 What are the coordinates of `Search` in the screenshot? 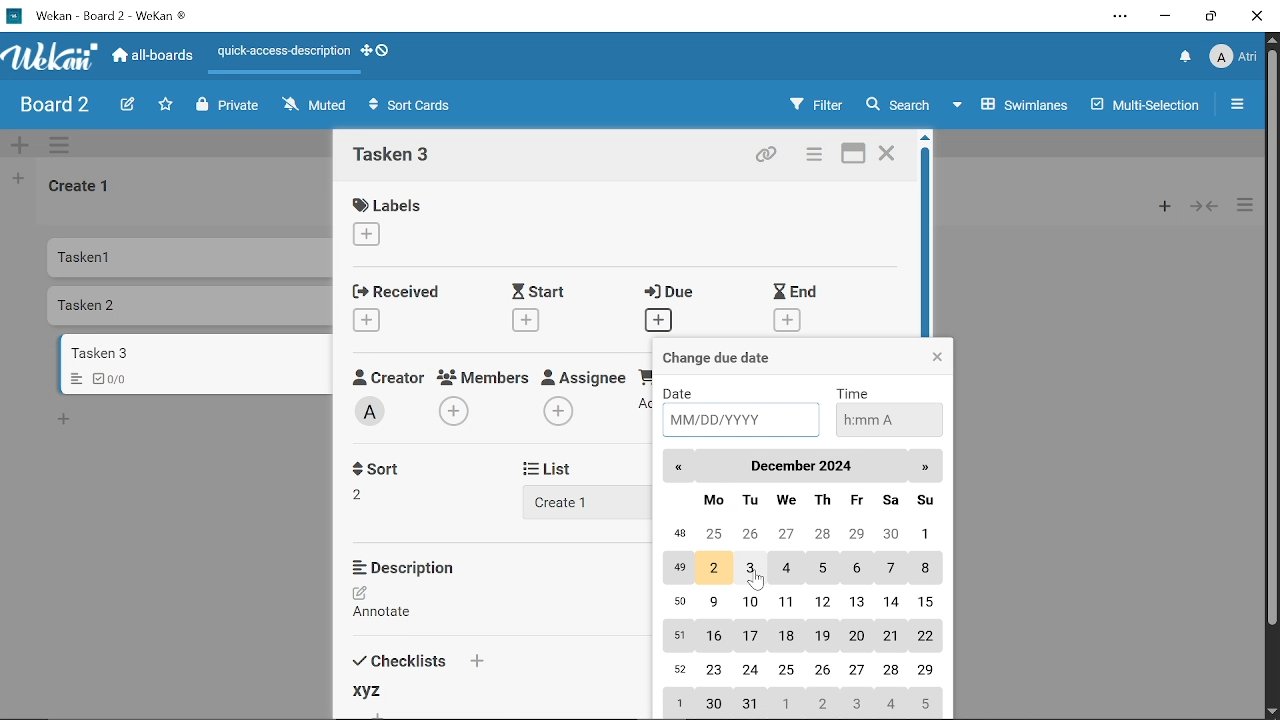 It's located at (904, 105).